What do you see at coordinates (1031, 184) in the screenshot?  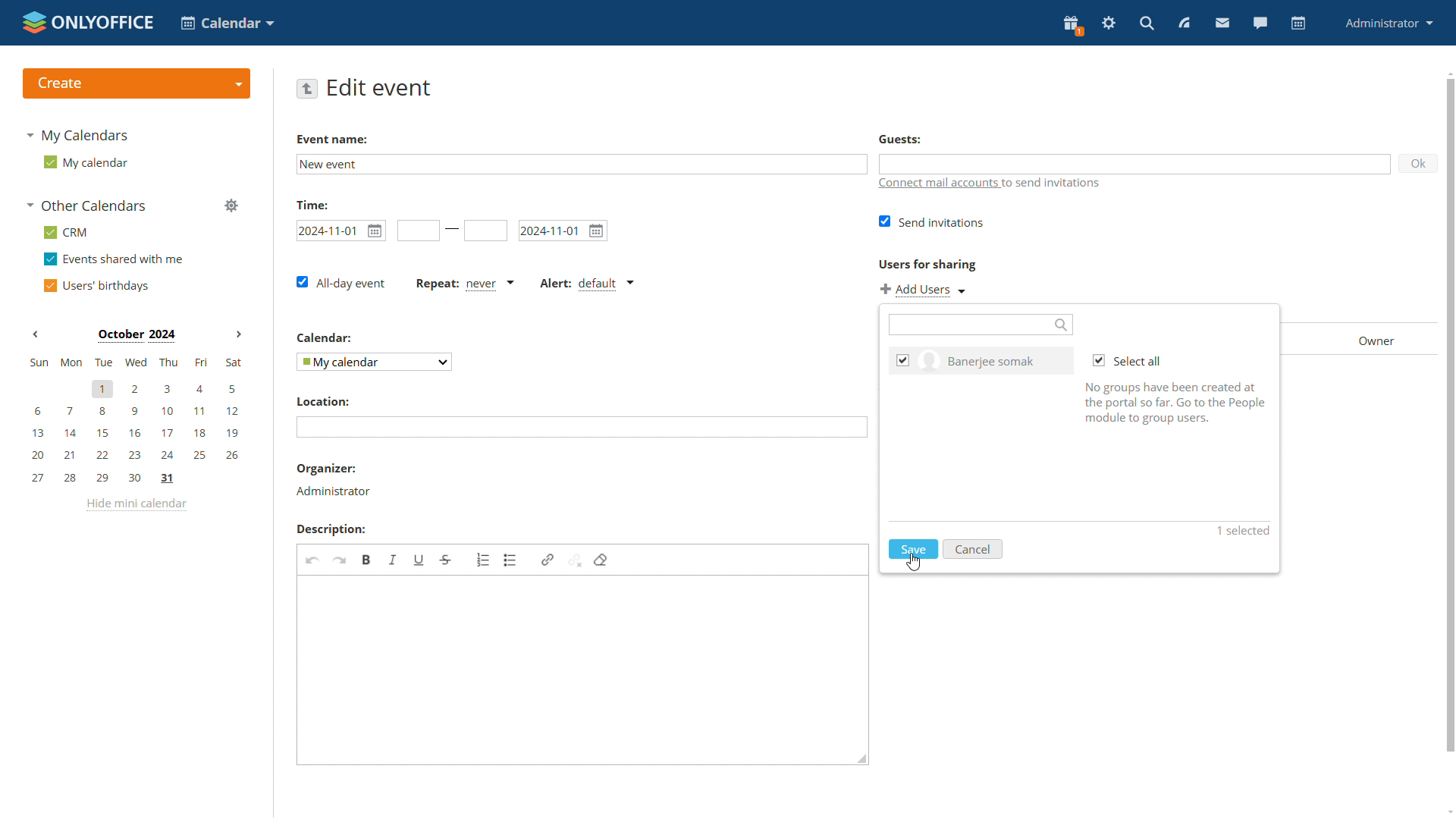 I see `connect mail accounts` at bounding box center [1031, 184].